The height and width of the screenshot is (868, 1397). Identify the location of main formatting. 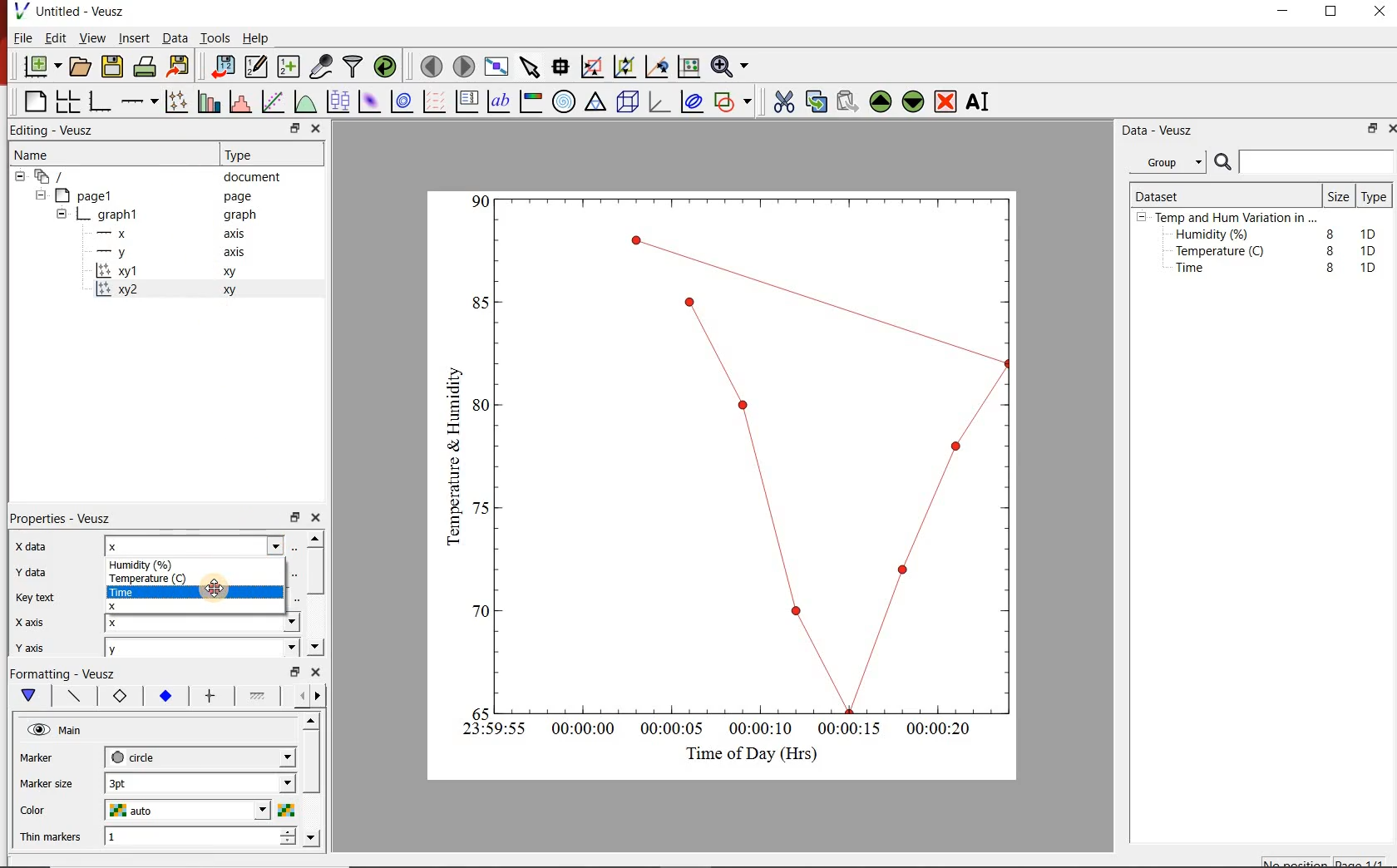
(30, 697).